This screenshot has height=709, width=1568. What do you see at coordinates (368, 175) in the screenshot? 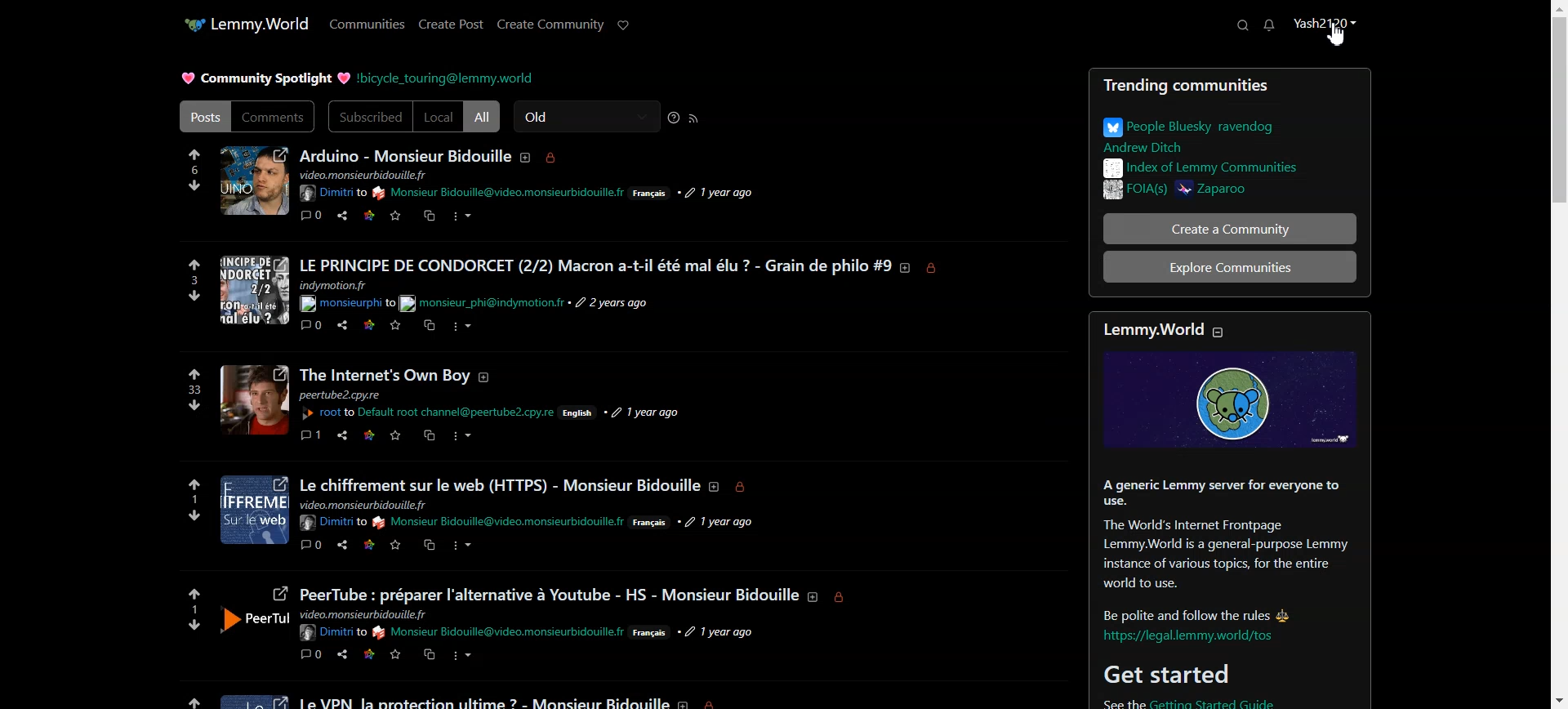
I see `text` at bounding box center [368, 175].